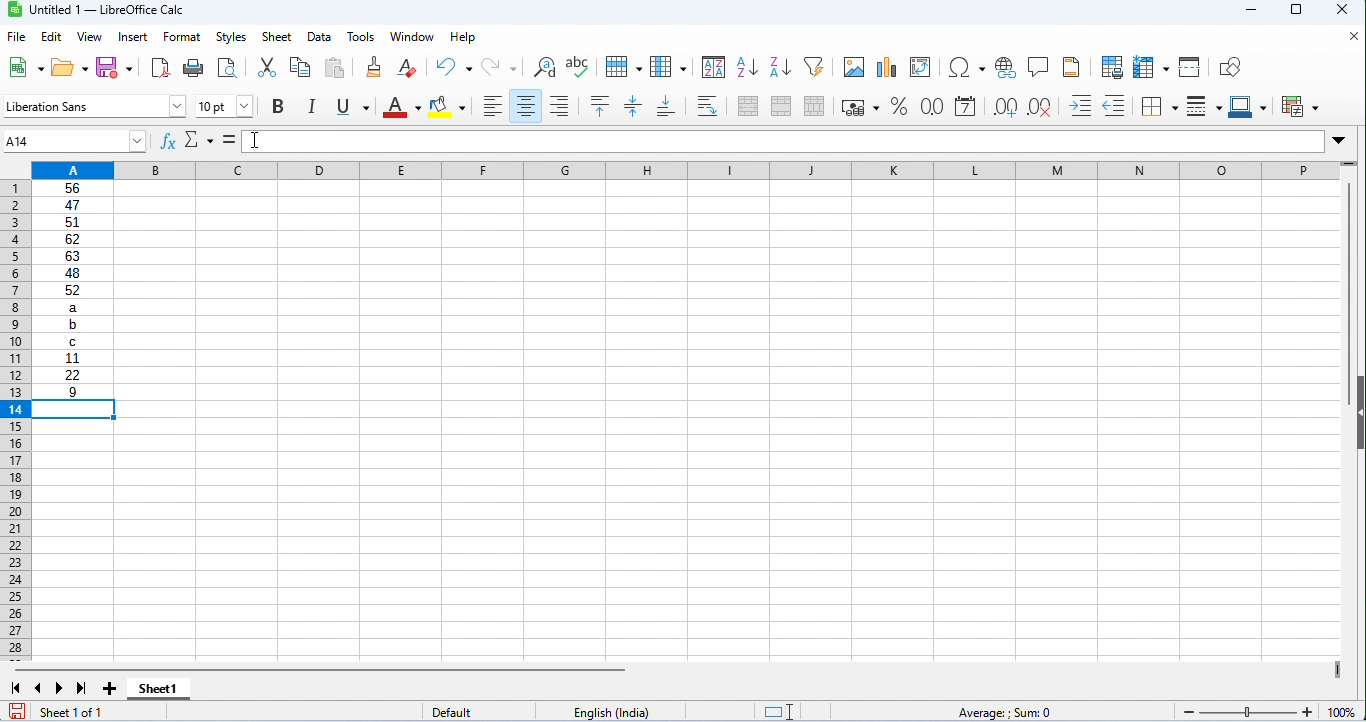 Image resolution: width=1366 pixels, height=722 pixels. Describe the element at coordinates (41, 688) in the screenshot. I see `previous sheet` at that location.